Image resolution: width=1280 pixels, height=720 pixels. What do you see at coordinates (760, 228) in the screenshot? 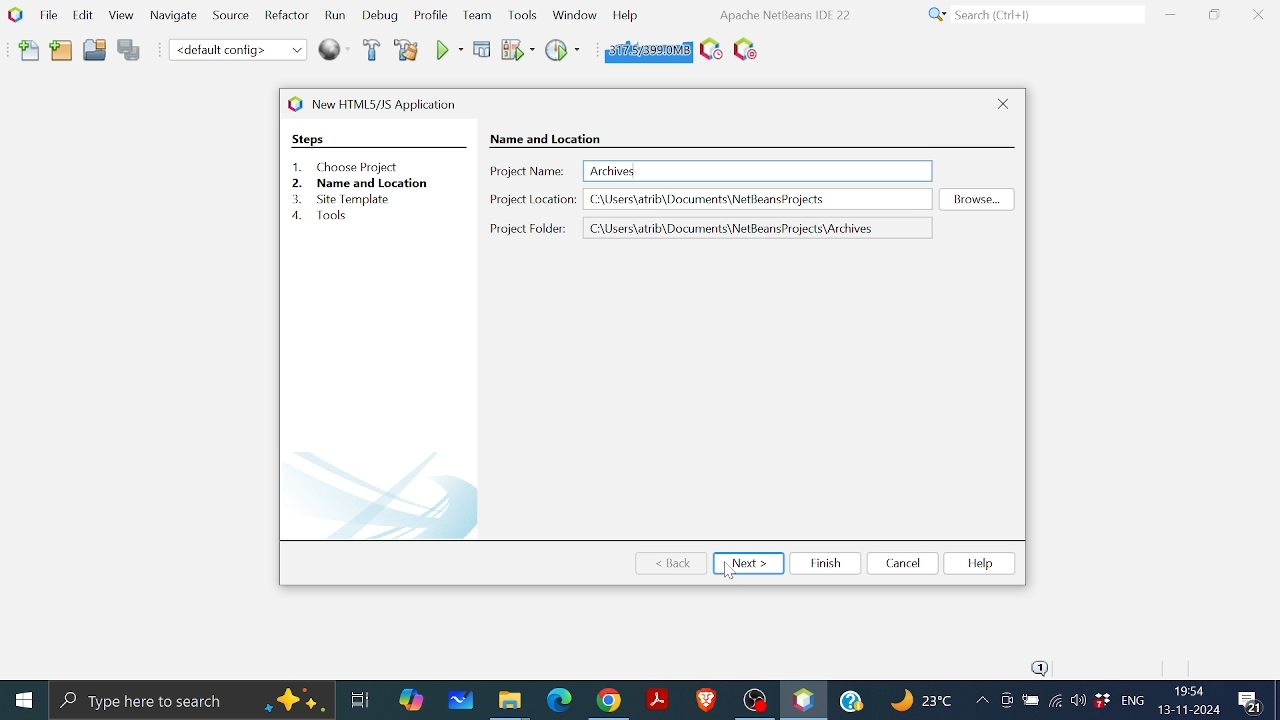
I see `Space for changing project location` at bounding box center [760, 228].